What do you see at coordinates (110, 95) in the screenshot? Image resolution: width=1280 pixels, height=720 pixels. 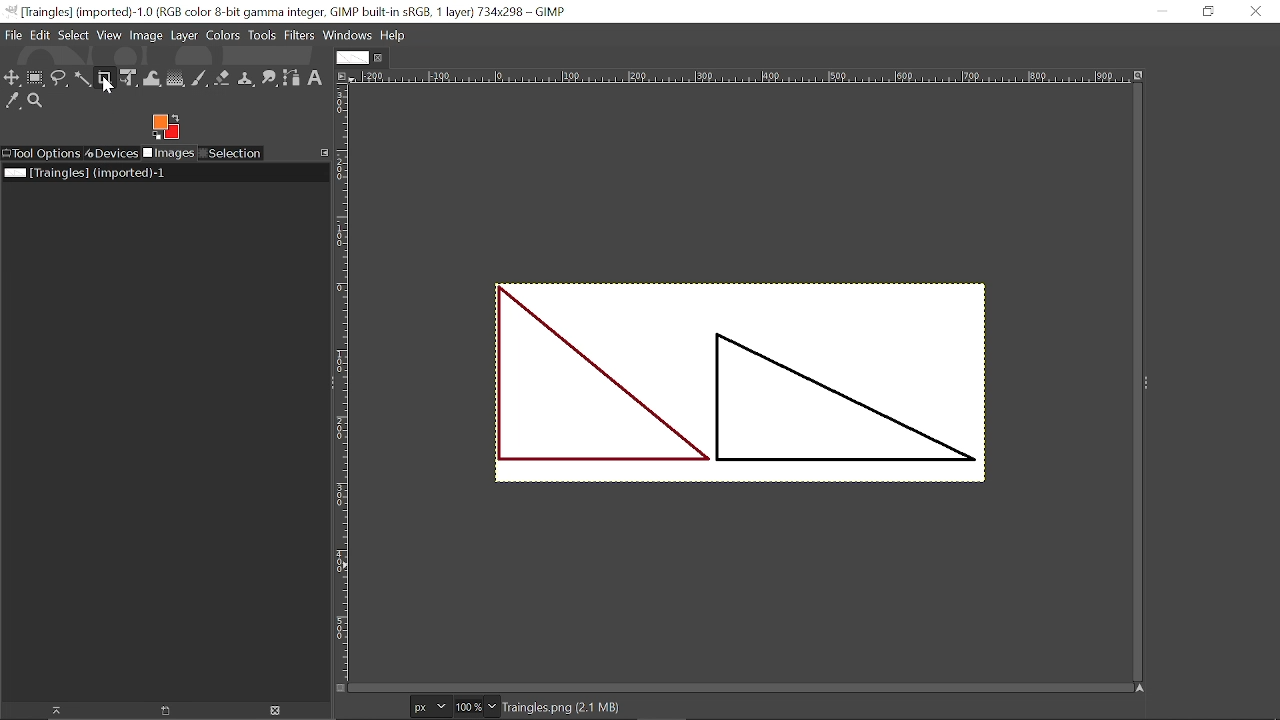 I see `cursor` at bounding box center [110, 95].